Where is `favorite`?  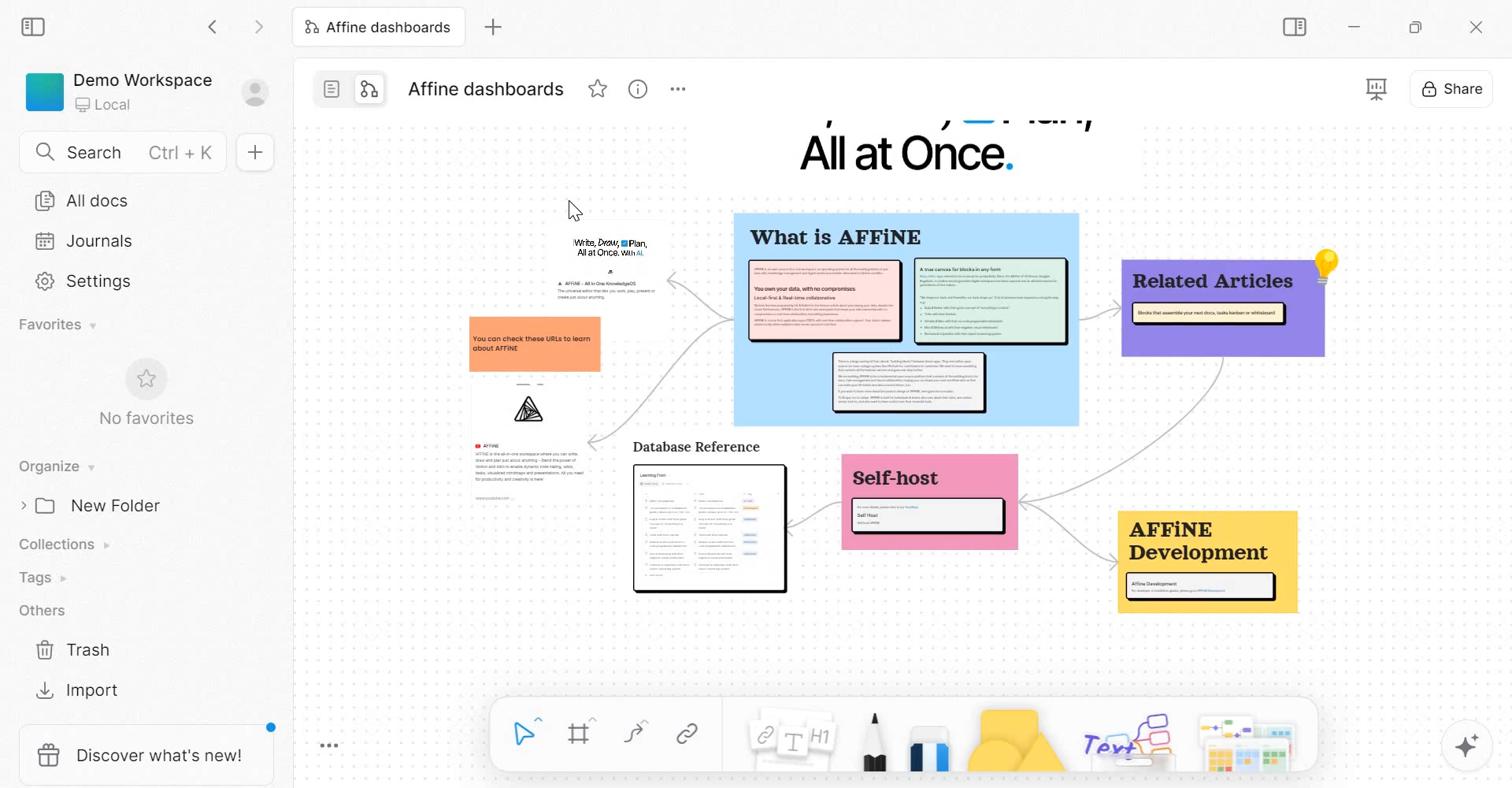
favorite is located at coordinates (599, 90).